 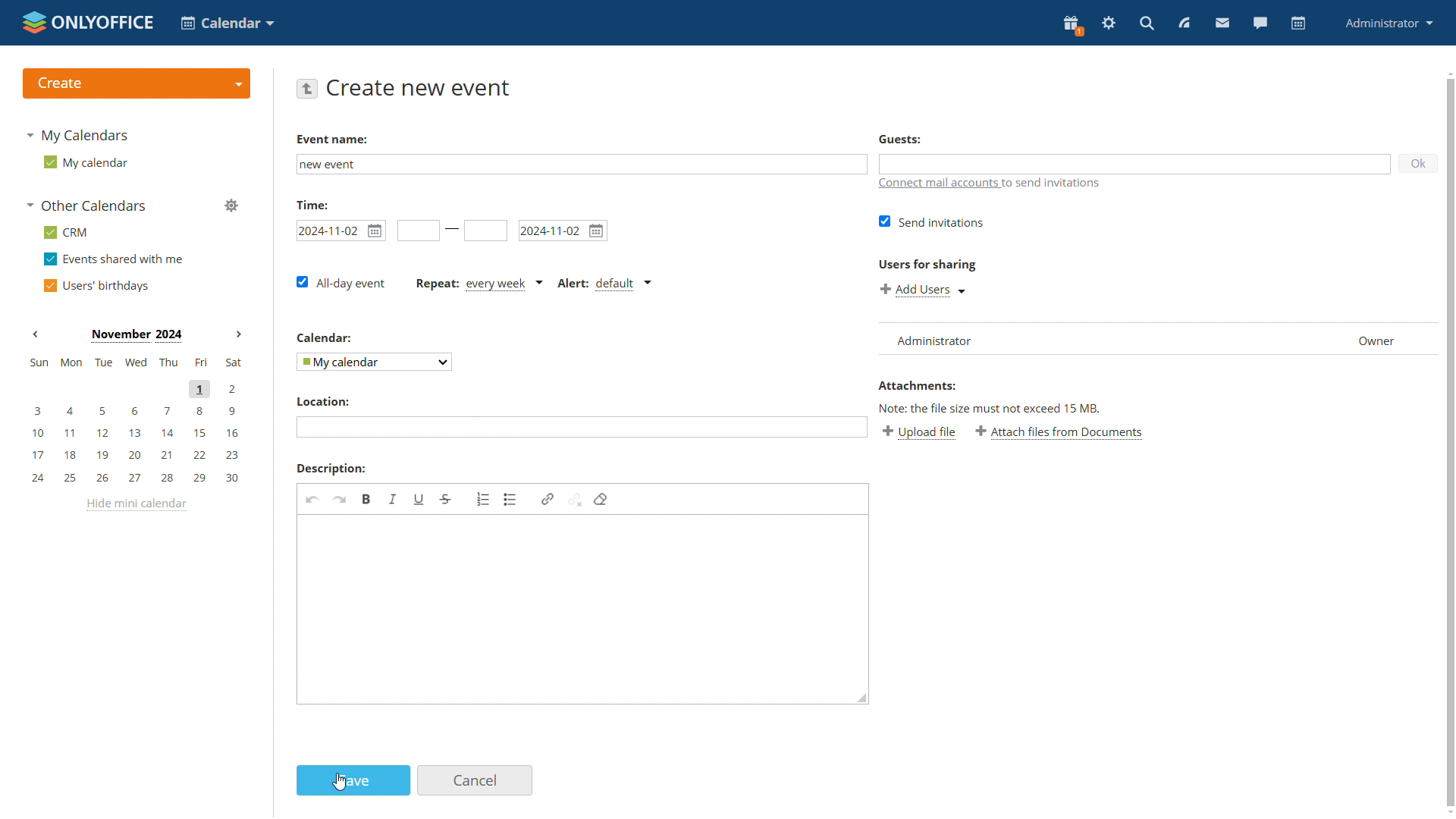 I want to click on create new event, so click(x=421, y=87).